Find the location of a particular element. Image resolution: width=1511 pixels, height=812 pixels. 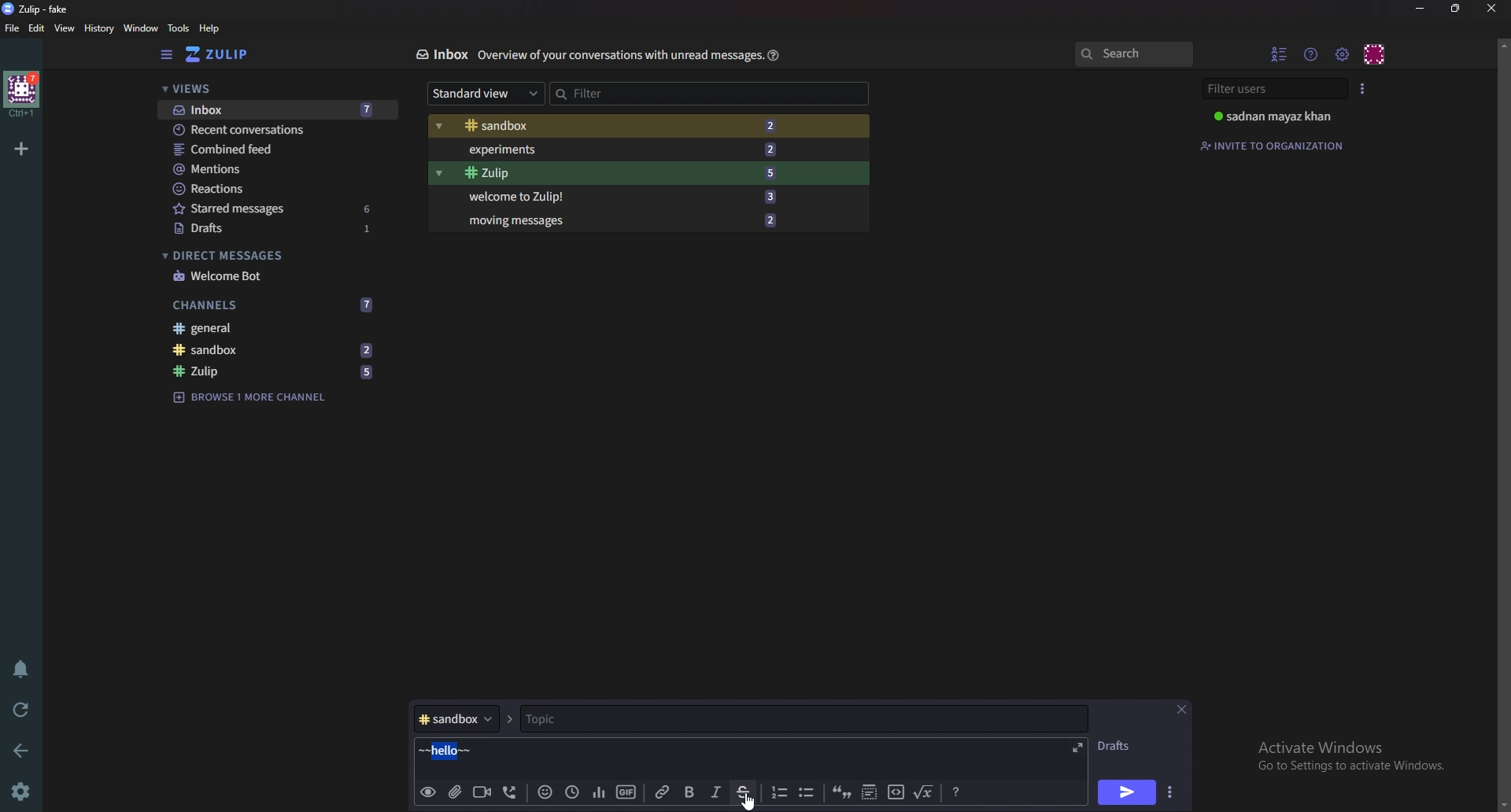

Send options is located at coordinates (1172, 790).